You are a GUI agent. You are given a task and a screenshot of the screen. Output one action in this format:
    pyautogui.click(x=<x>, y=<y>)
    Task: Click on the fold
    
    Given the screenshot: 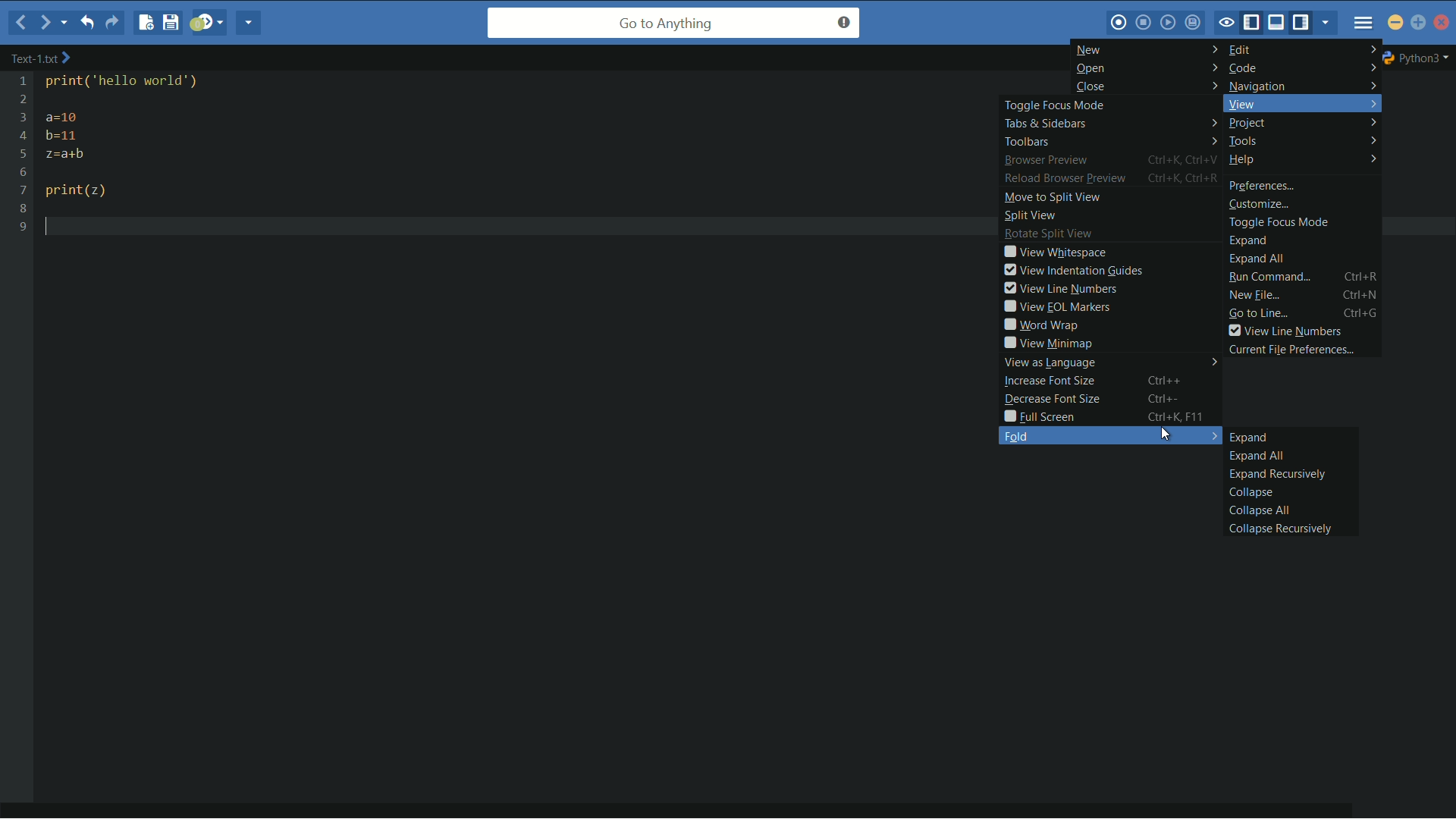 What is the action you would take?
    pyautogui.click(x=1109, y=436)
    